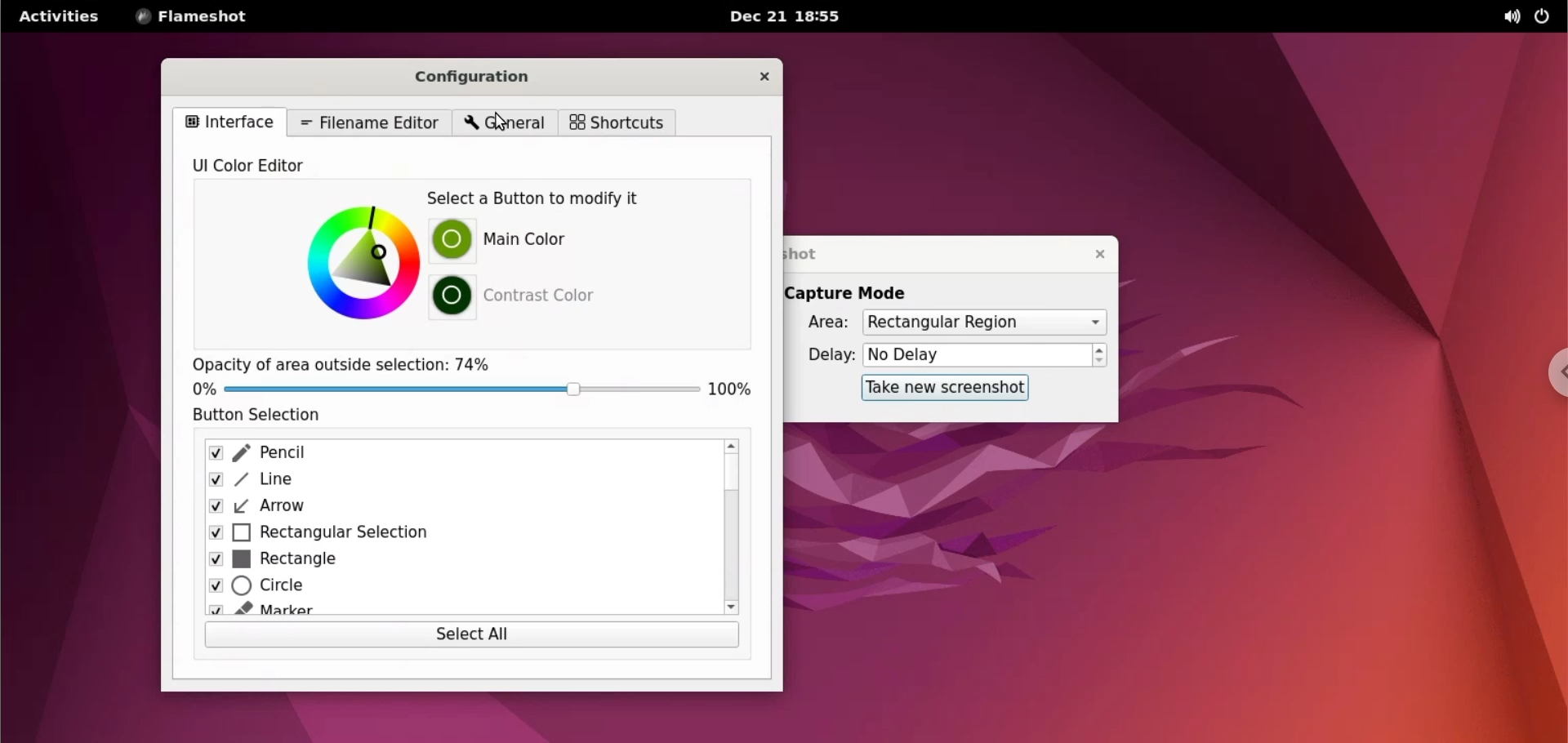 The height and width of the screenshot is (743, 1568). What do you see at coordinates (452, 481) in the screenshot?
I see `line` at bounding box center [452, 481].